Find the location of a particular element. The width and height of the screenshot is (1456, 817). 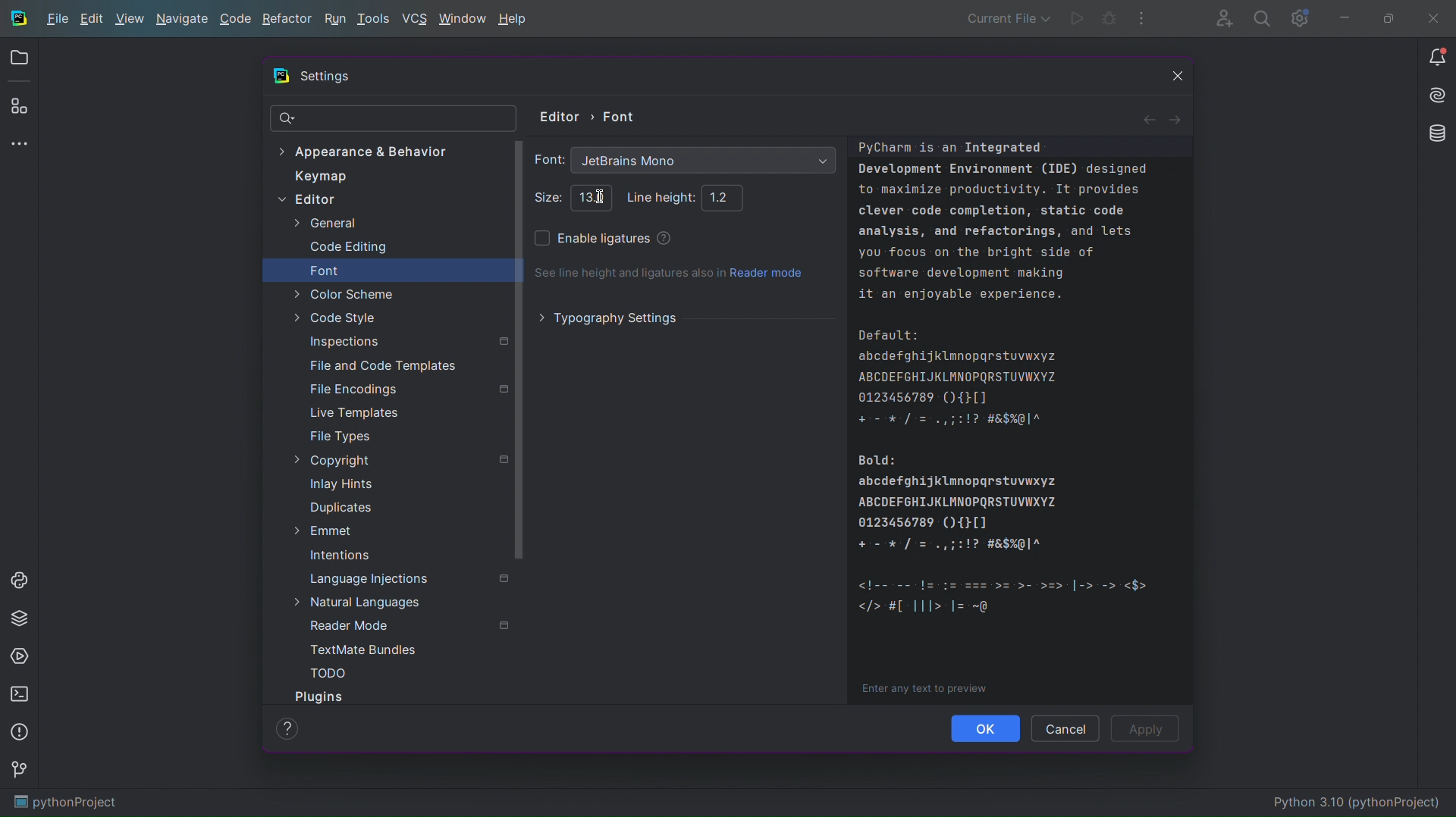

Next is located at coordinates (1178, 117).